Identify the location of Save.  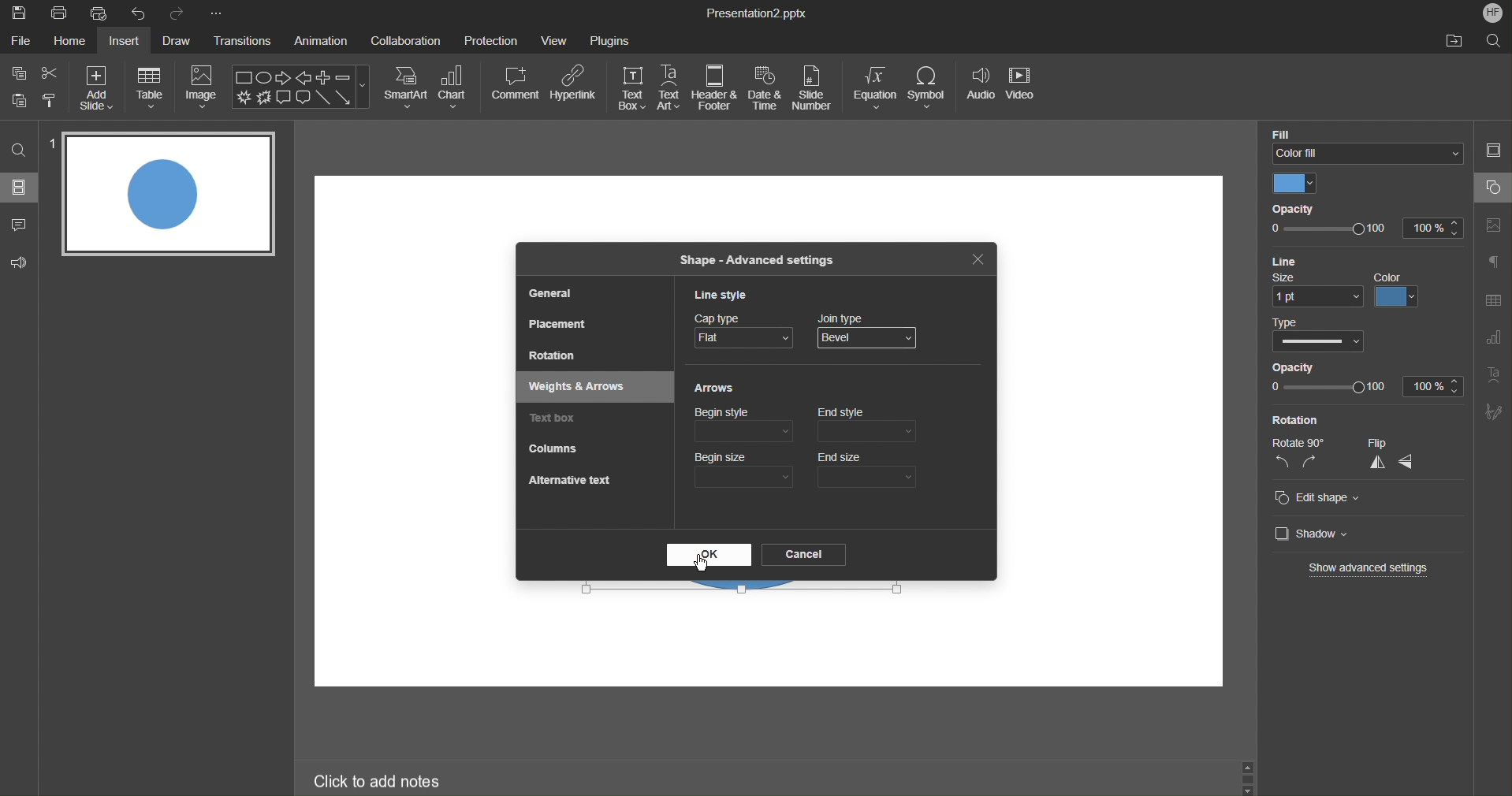
(18, 13).